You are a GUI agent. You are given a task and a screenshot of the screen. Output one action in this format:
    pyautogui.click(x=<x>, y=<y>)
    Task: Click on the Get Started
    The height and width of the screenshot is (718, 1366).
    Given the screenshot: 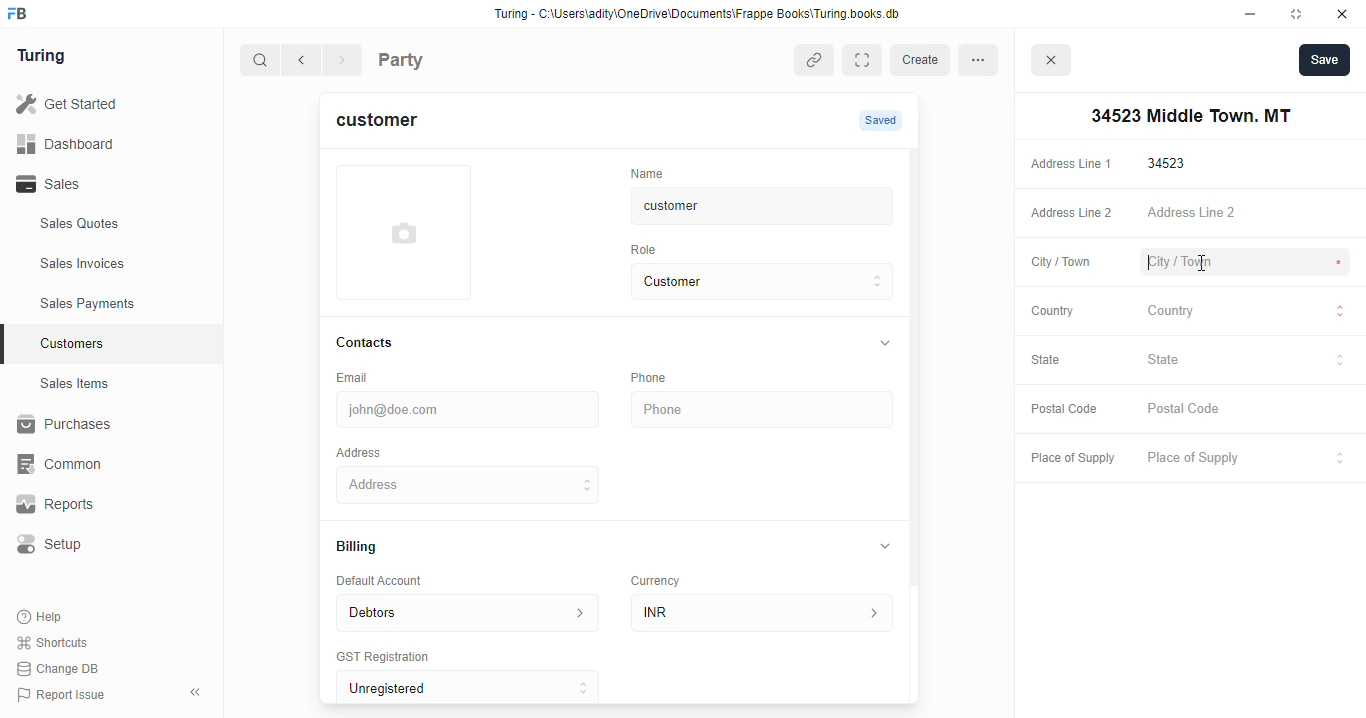 What is the action you would take?
    pyautogui.click(x=93, y=105)
    